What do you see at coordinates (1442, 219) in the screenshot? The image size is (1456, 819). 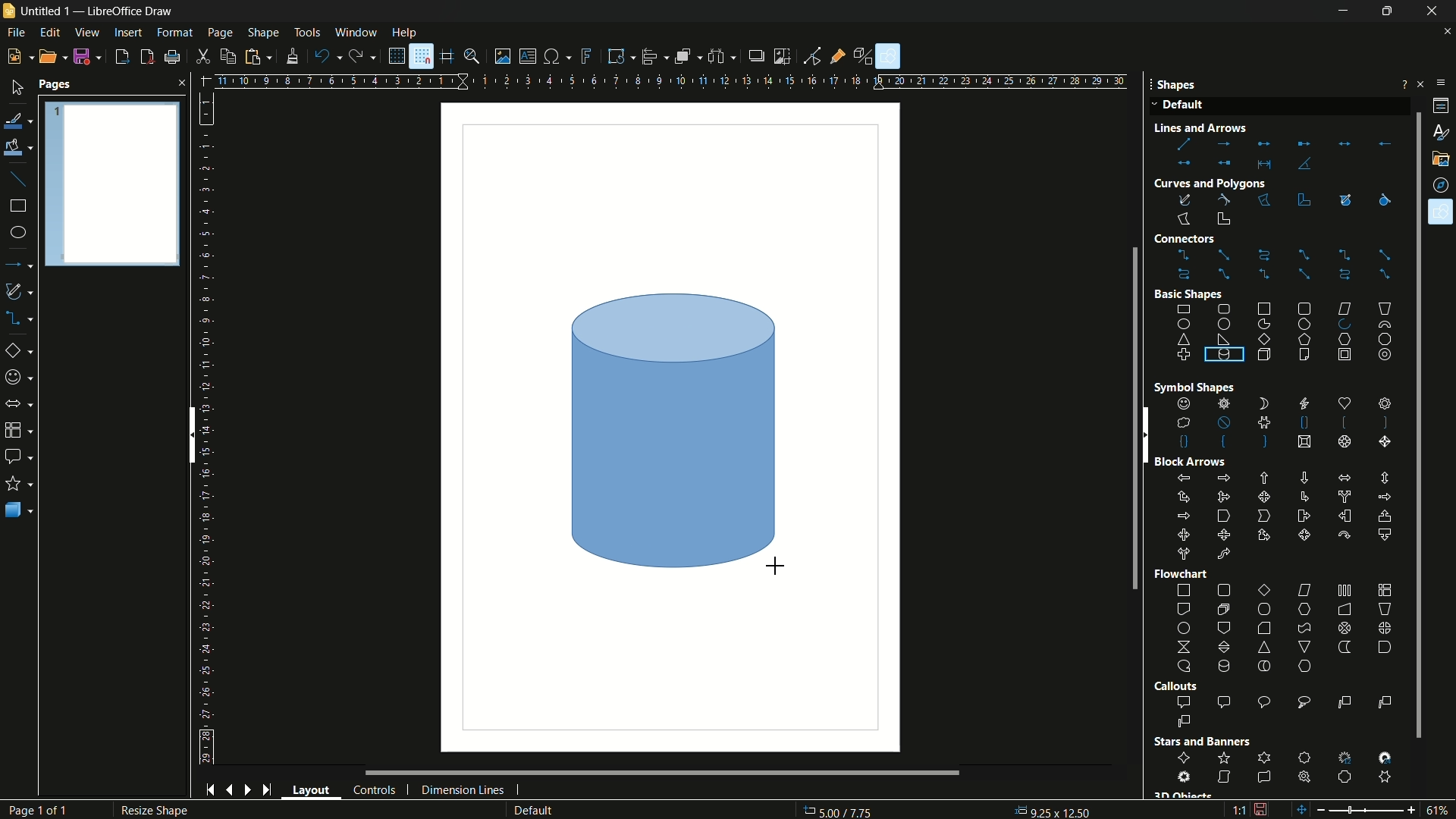 I see `Cursor` at bounding box center [1442, 219].